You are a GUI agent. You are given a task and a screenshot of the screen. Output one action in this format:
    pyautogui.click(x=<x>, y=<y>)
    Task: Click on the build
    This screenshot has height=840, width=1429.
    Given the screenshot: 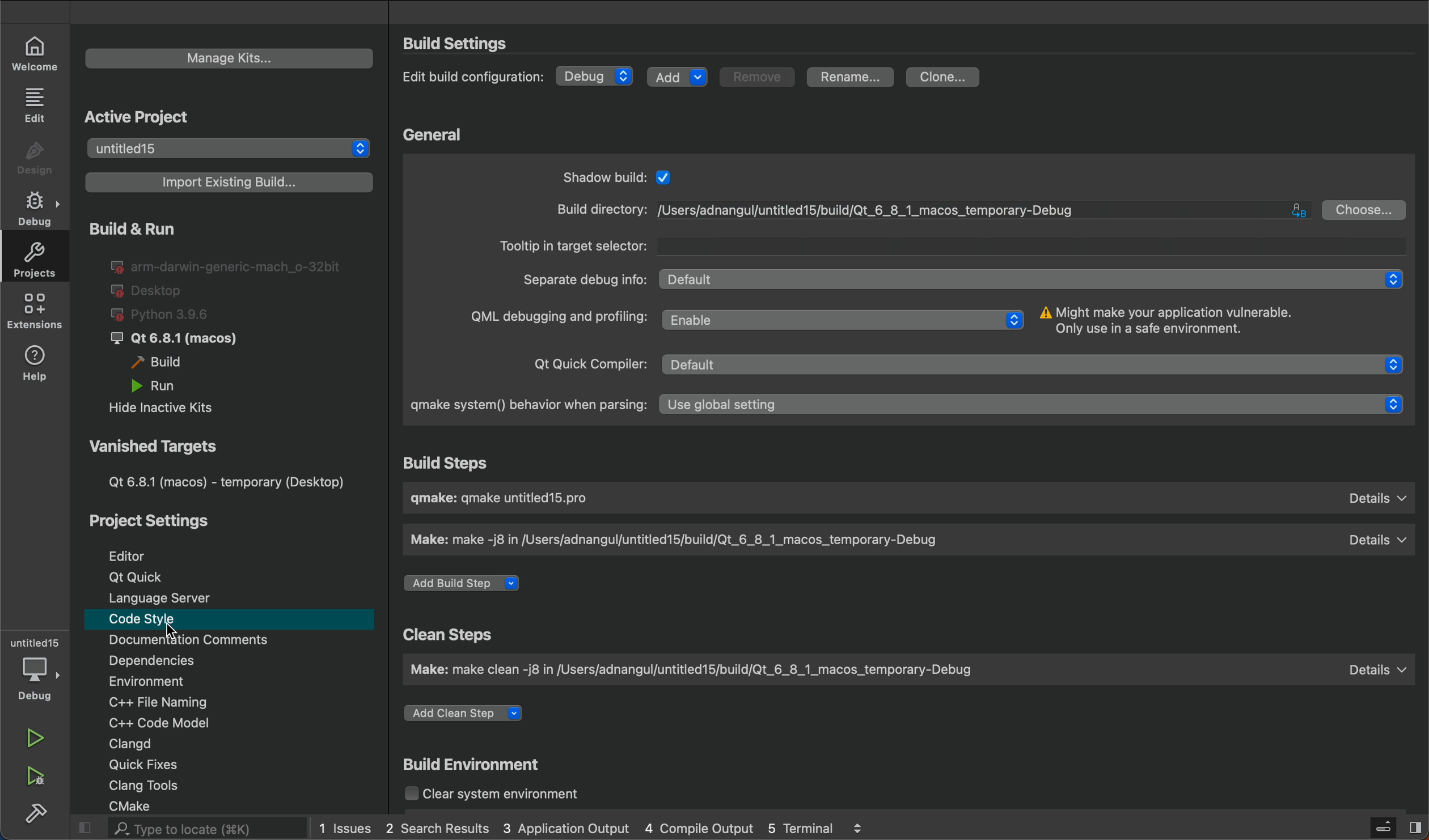 What is the action you would take?
    pyautogui.click(x=483, y=762)
    